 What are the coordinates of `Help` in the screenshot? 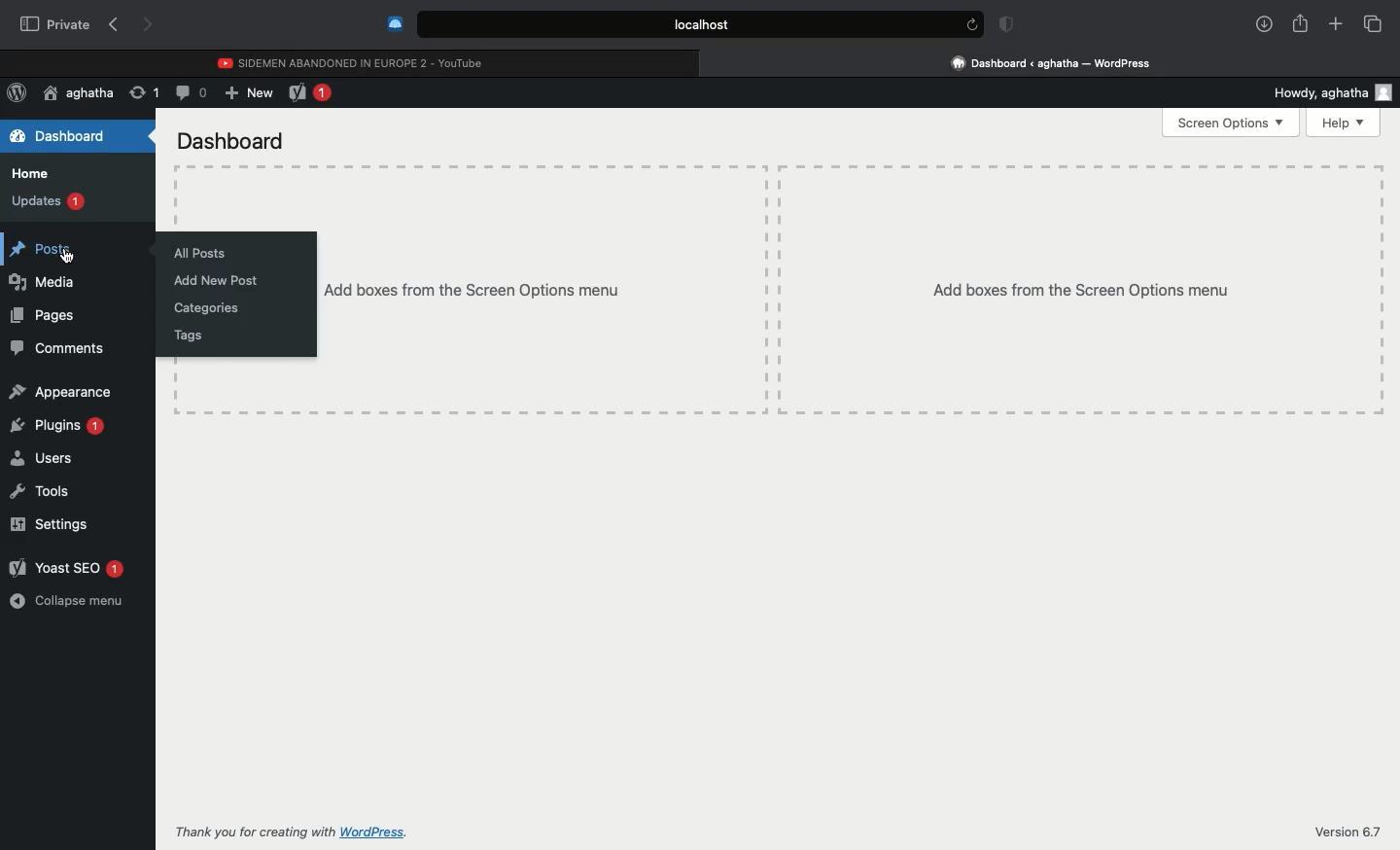 It's located at (1343, 122).